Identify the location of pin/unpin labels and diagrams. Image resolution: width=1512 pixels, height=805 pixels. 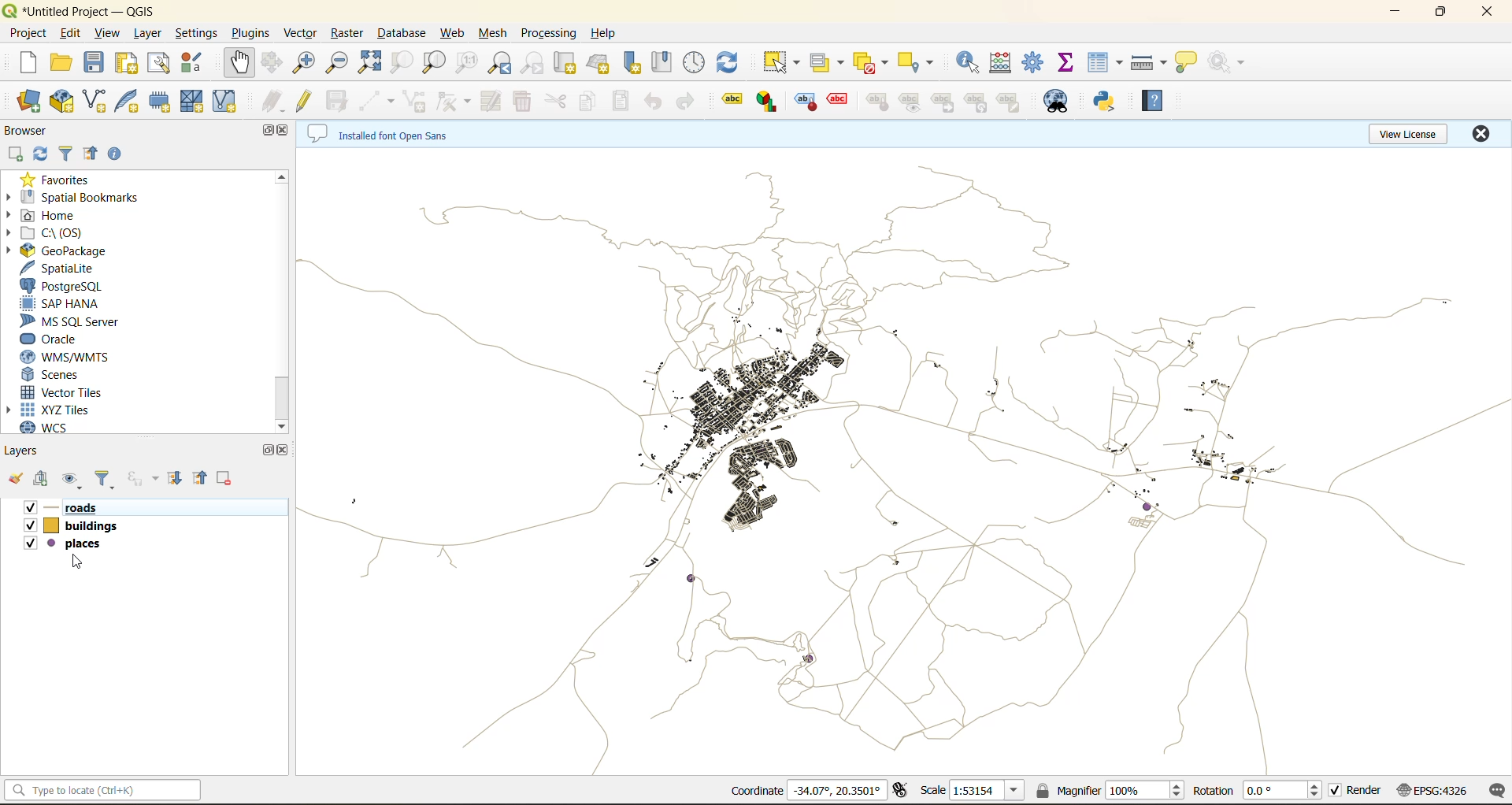
(876, 102).